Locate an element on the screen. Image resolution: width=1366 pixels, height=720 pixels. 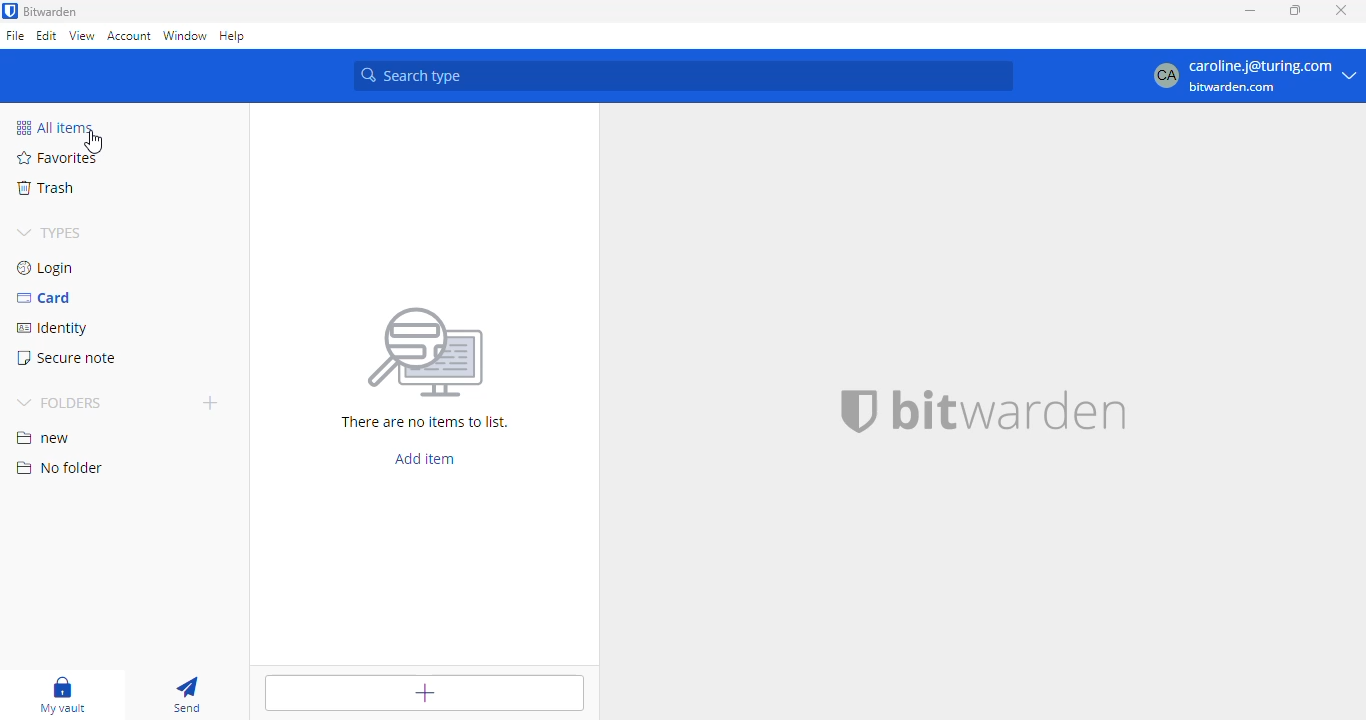
file is located at coordinates (15, 35).